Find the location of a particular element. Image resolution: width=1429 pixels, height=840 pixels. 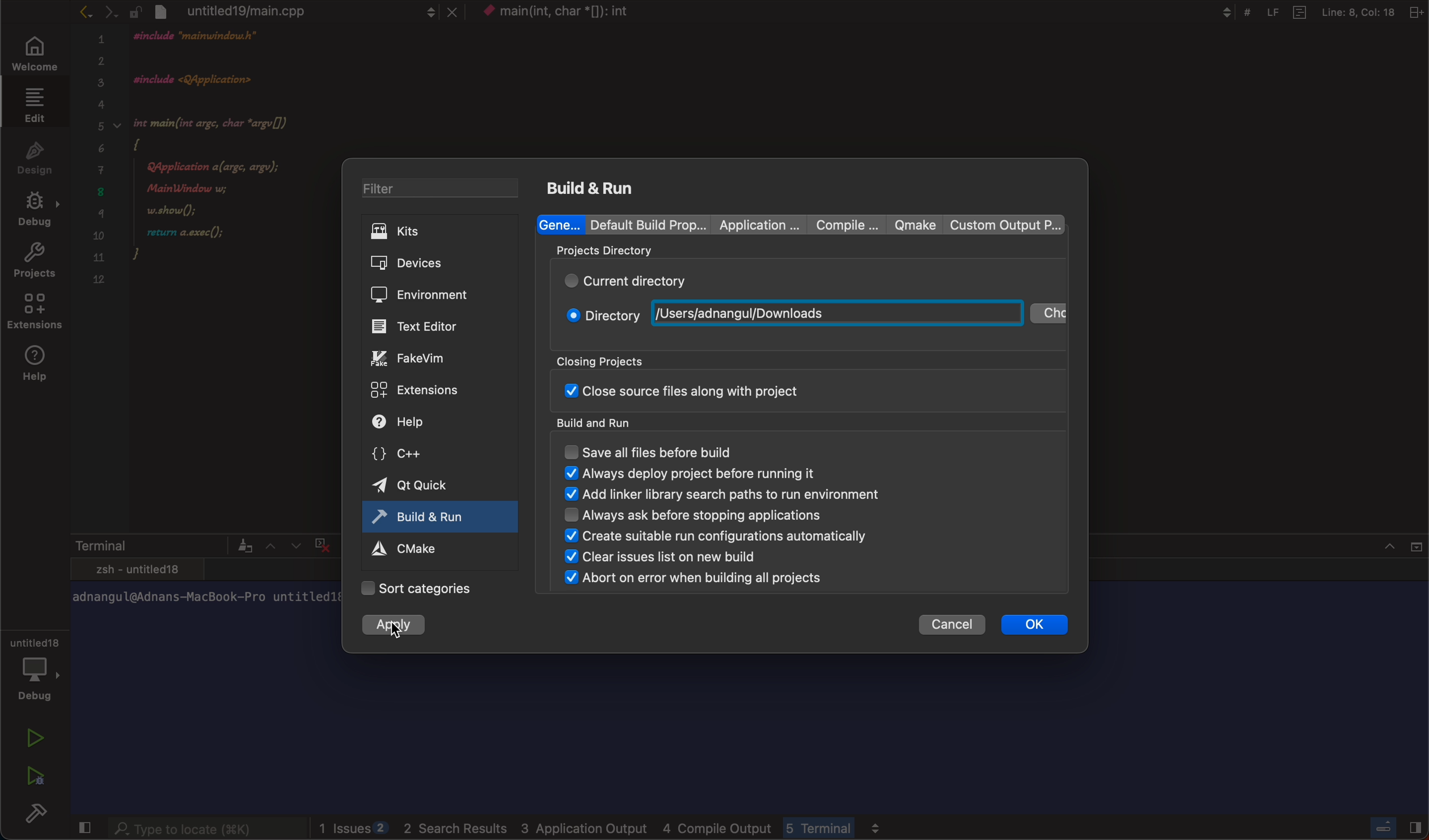

environment is located at coordinates (430, 292).